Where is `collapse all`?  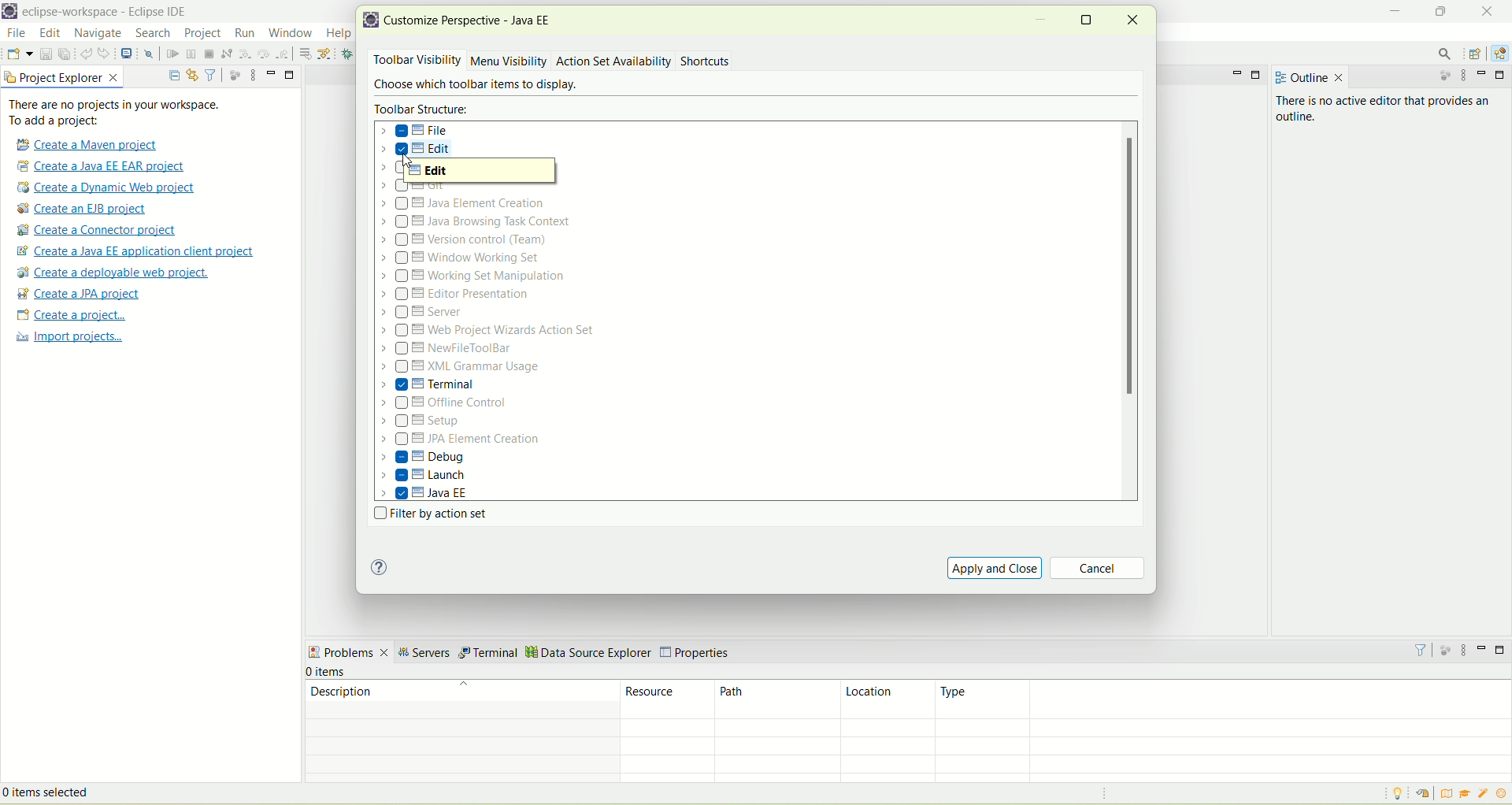 collapse all is located at coordinates (174, 72).